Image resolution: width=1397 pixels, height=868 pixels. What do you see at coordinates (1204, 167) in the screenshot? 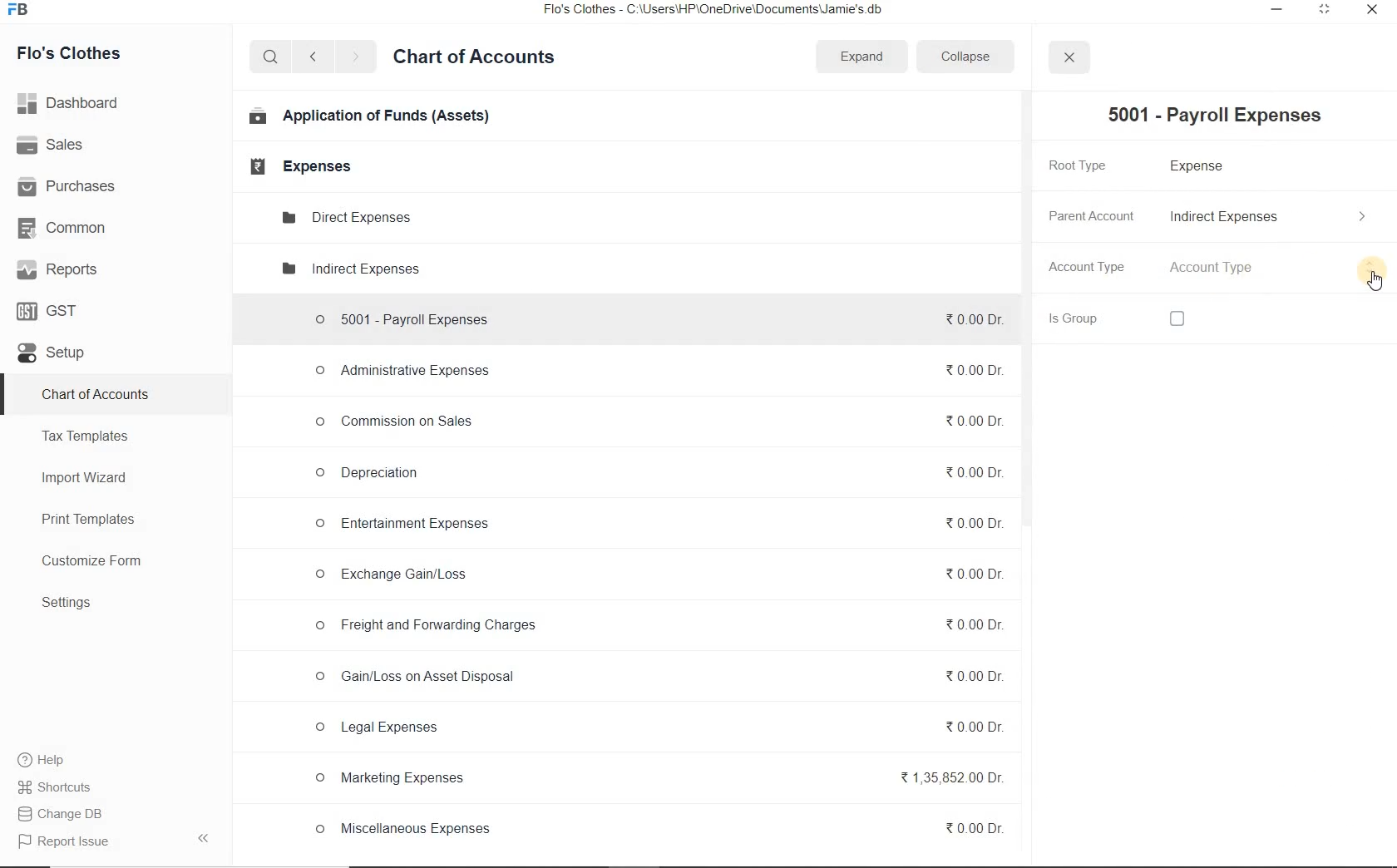
I see `Expense` at bounding box center [1204, 167].